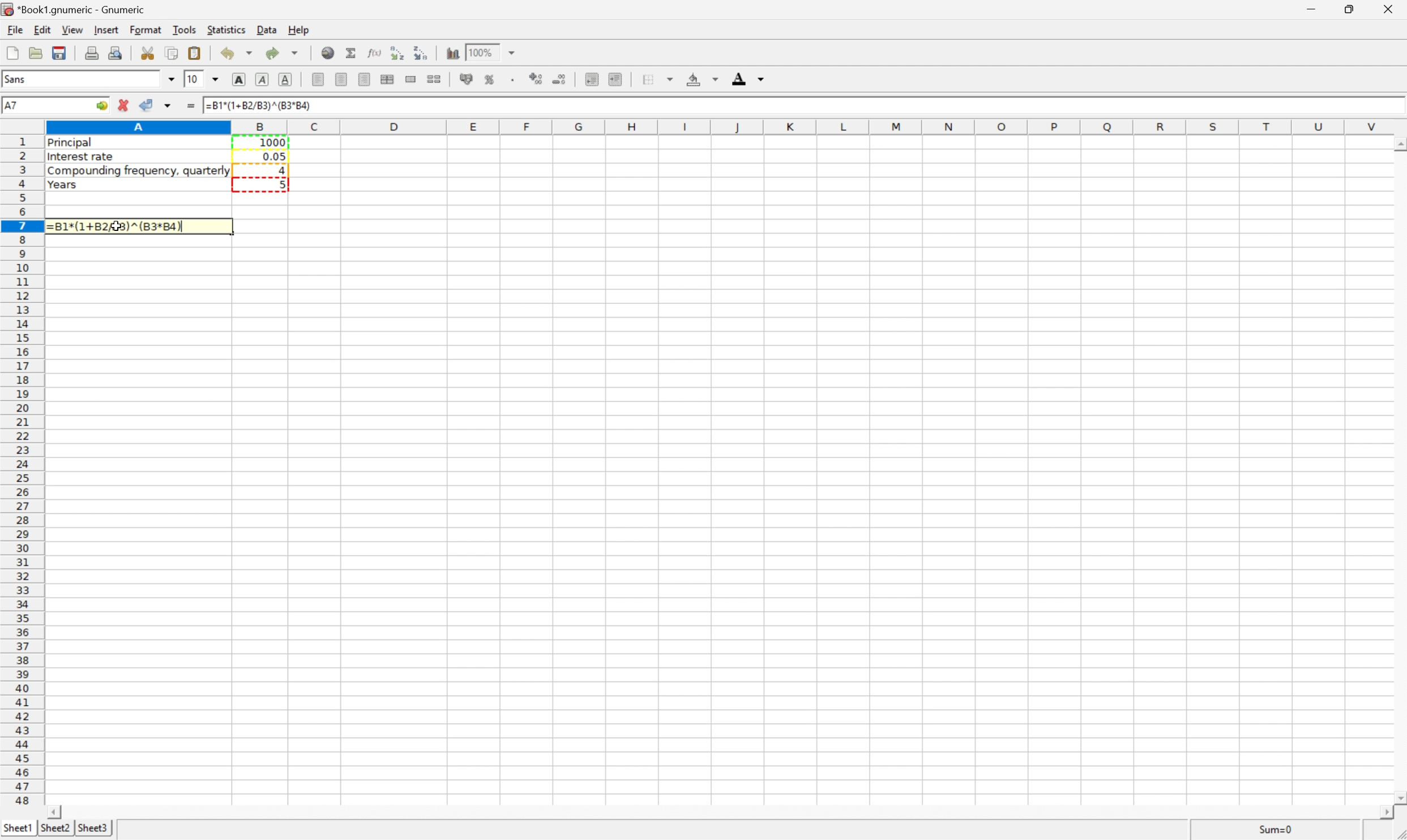 Image resolution: width=1407 pixels, height=840 pixels. What do you see at coordinates (169, 79) in the screenshot?
I see `drop down` at bounding box center [169, 79].